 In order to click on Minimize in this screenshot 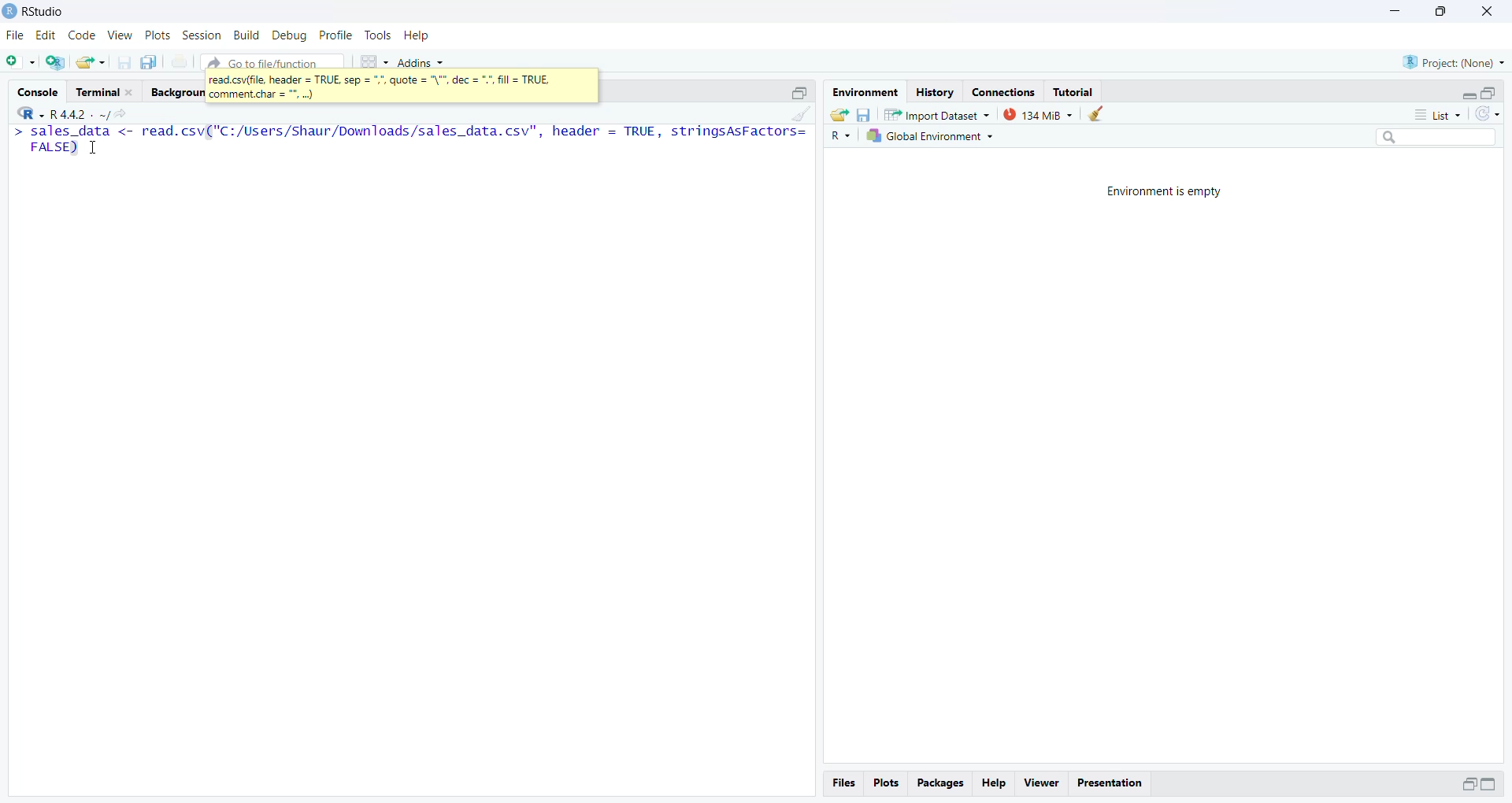, I will do `click(1395, 12)`.